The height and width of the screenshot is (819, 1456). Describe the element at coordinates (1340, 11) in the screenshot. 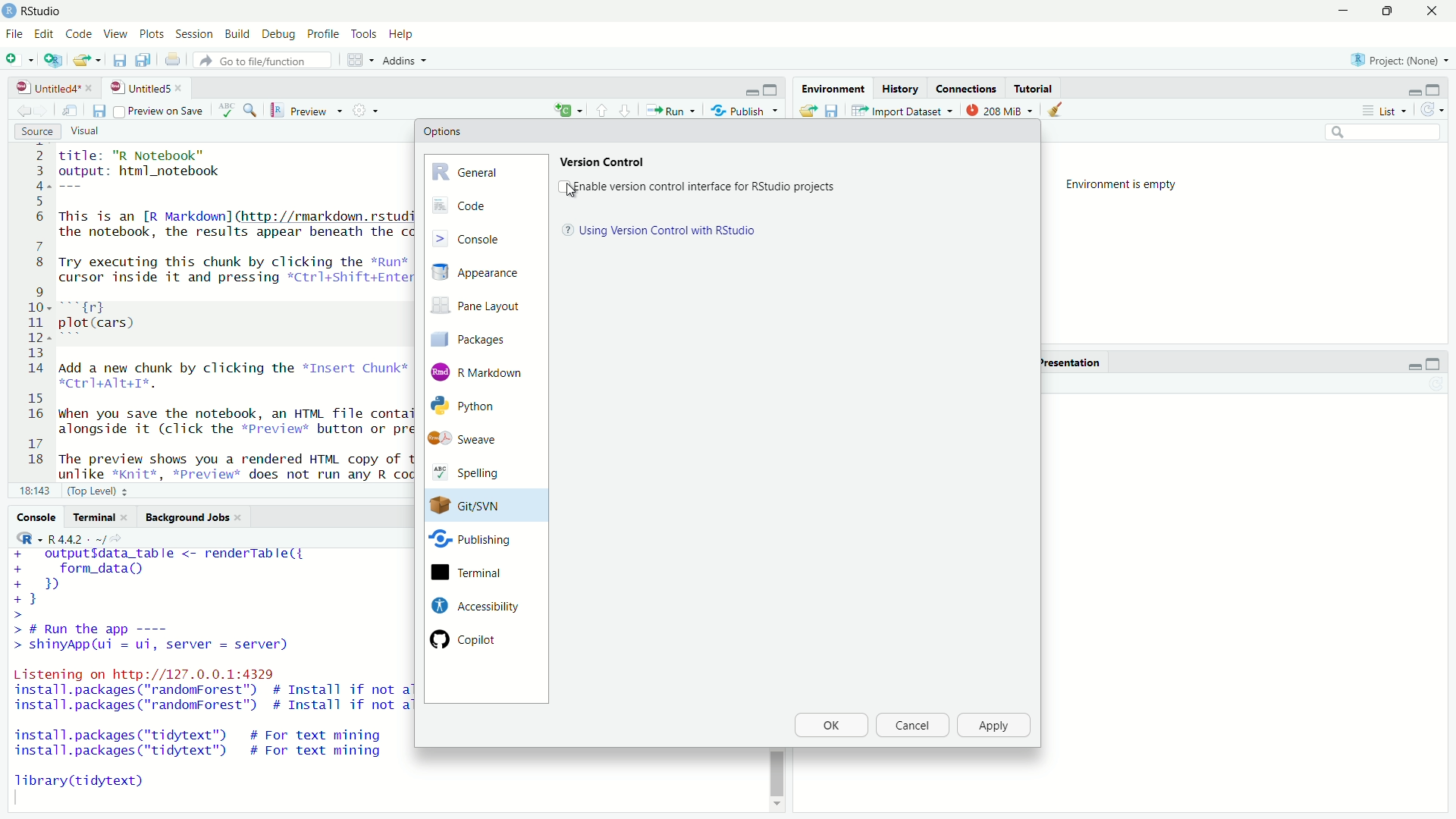

I see `minimise` at that location.